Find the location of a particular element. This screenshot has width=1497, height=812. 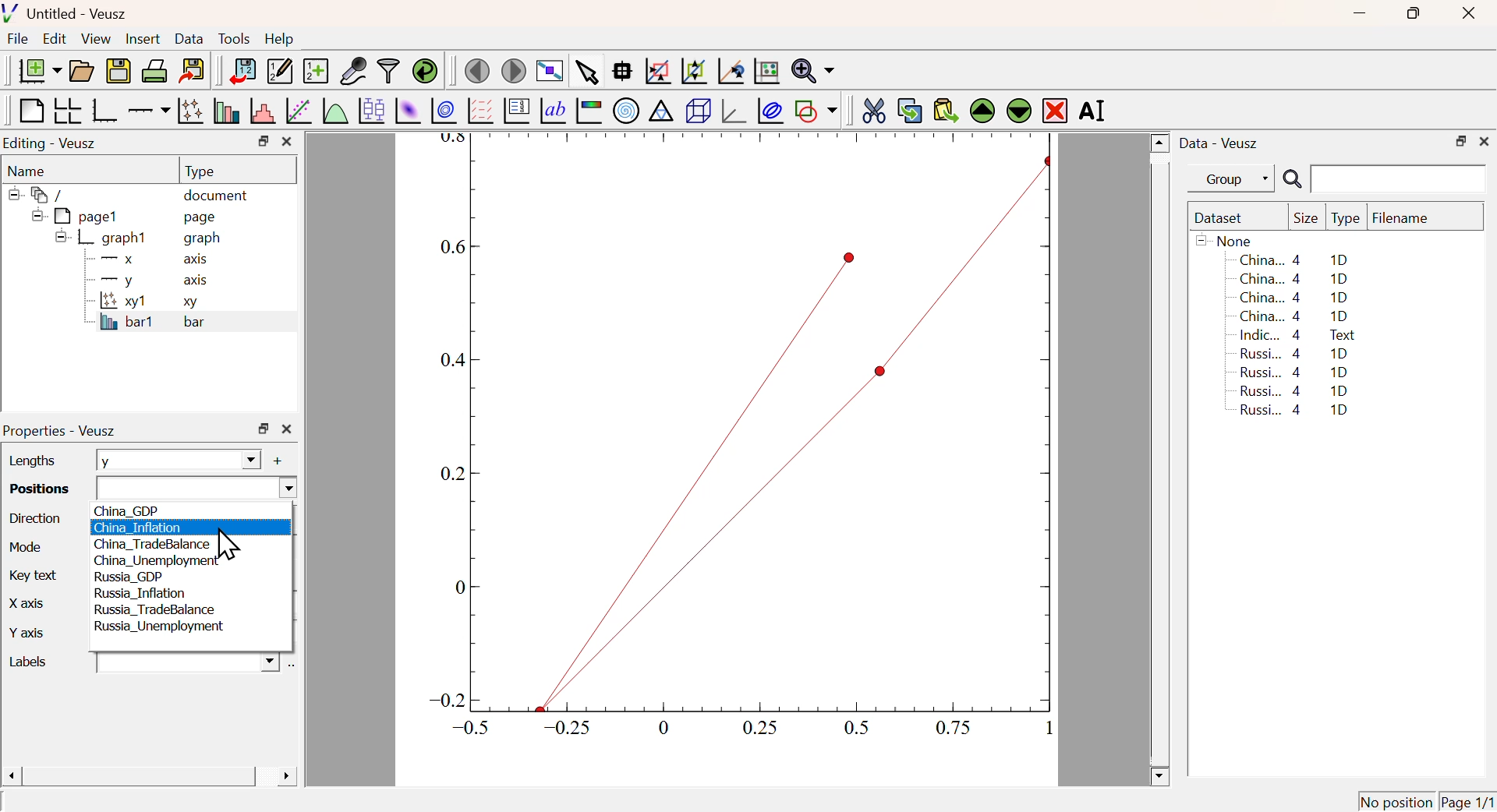

Russi... 4 1D is located at coordinates (1291, 390).